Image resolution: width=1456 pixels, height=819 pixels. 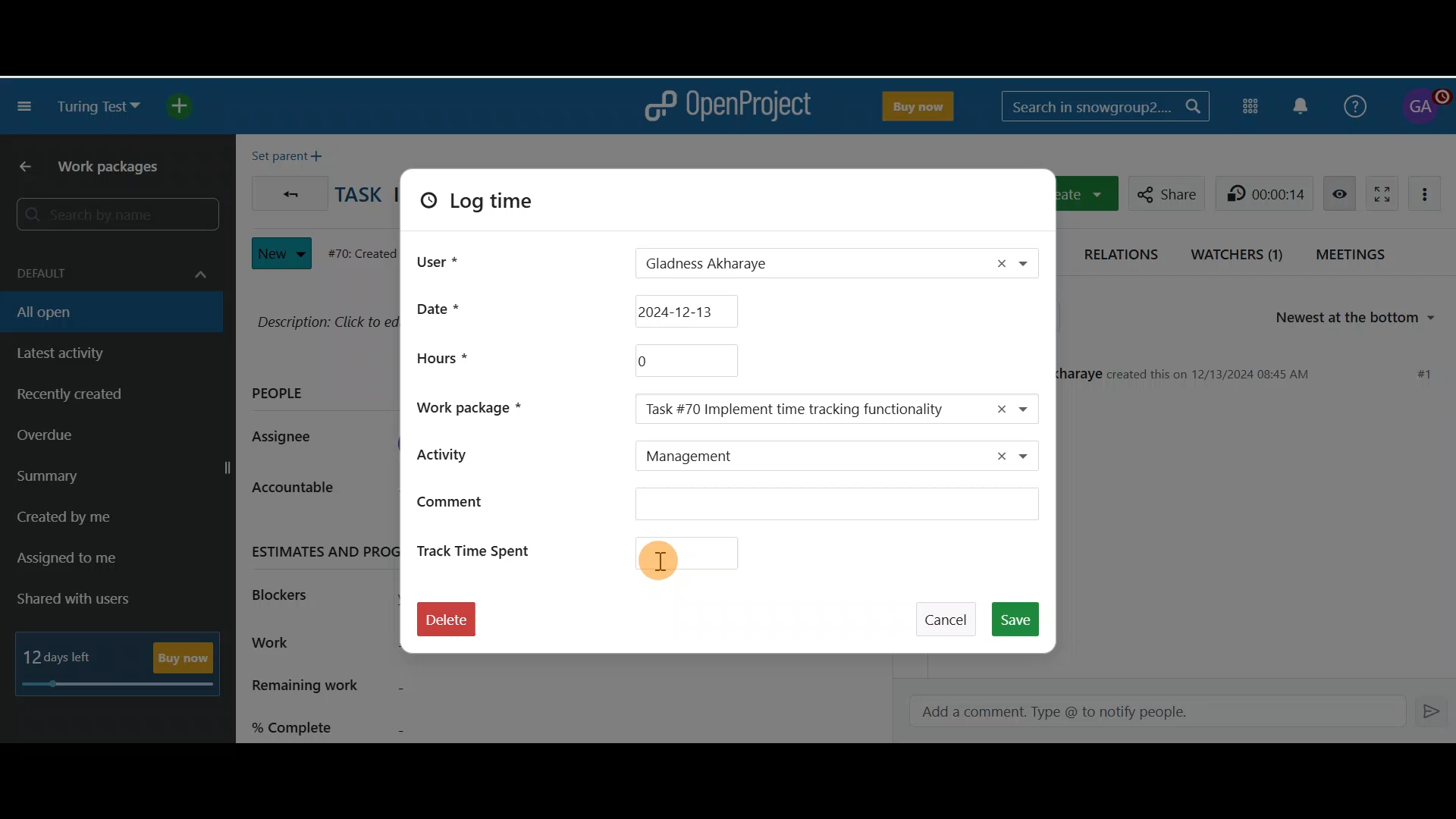 I want to click on Notification centre, so click(x=1302, y=105).